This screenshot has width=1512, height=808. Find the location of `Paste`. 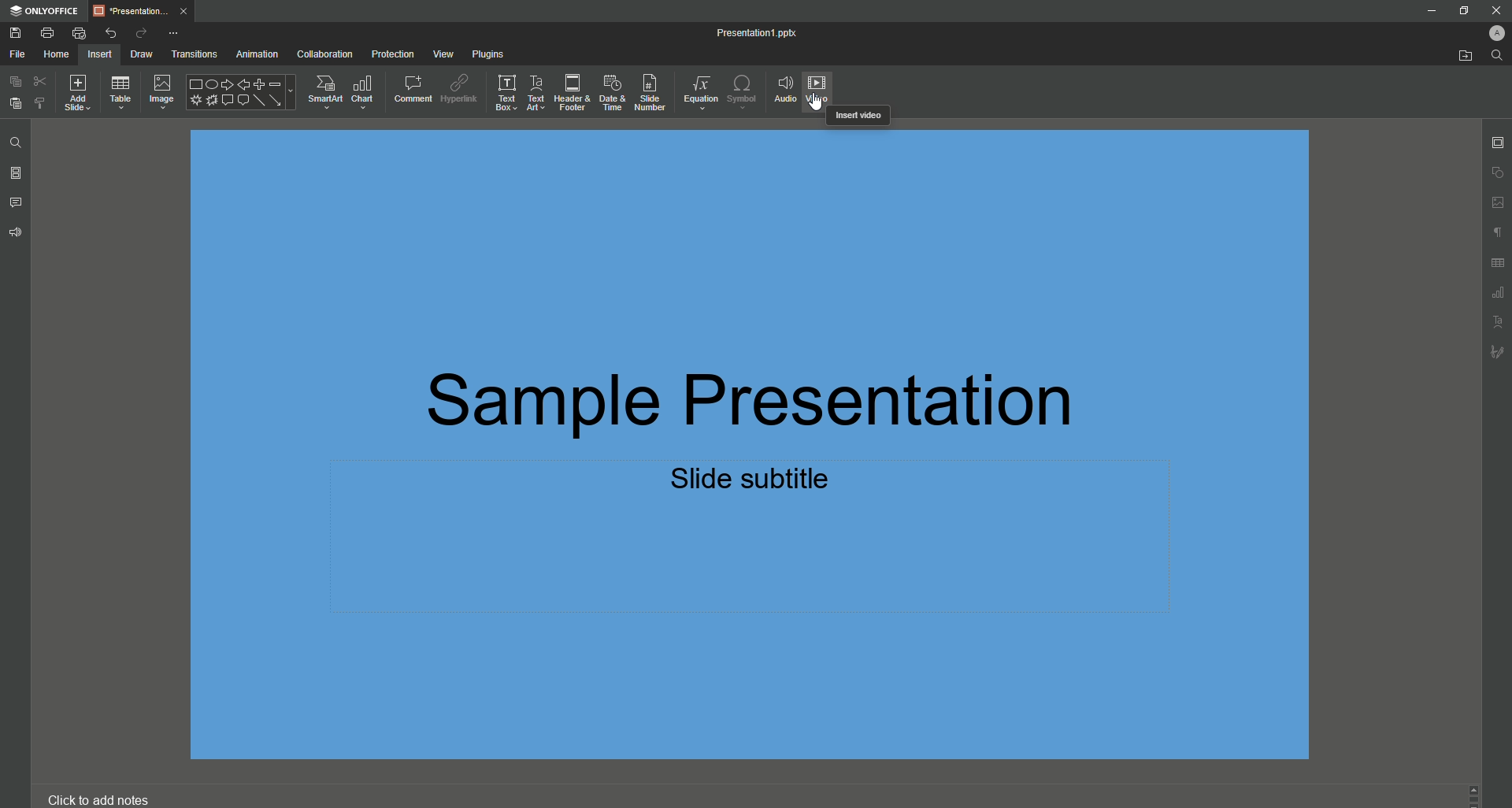

Paste is located at coordinates (15, 104).